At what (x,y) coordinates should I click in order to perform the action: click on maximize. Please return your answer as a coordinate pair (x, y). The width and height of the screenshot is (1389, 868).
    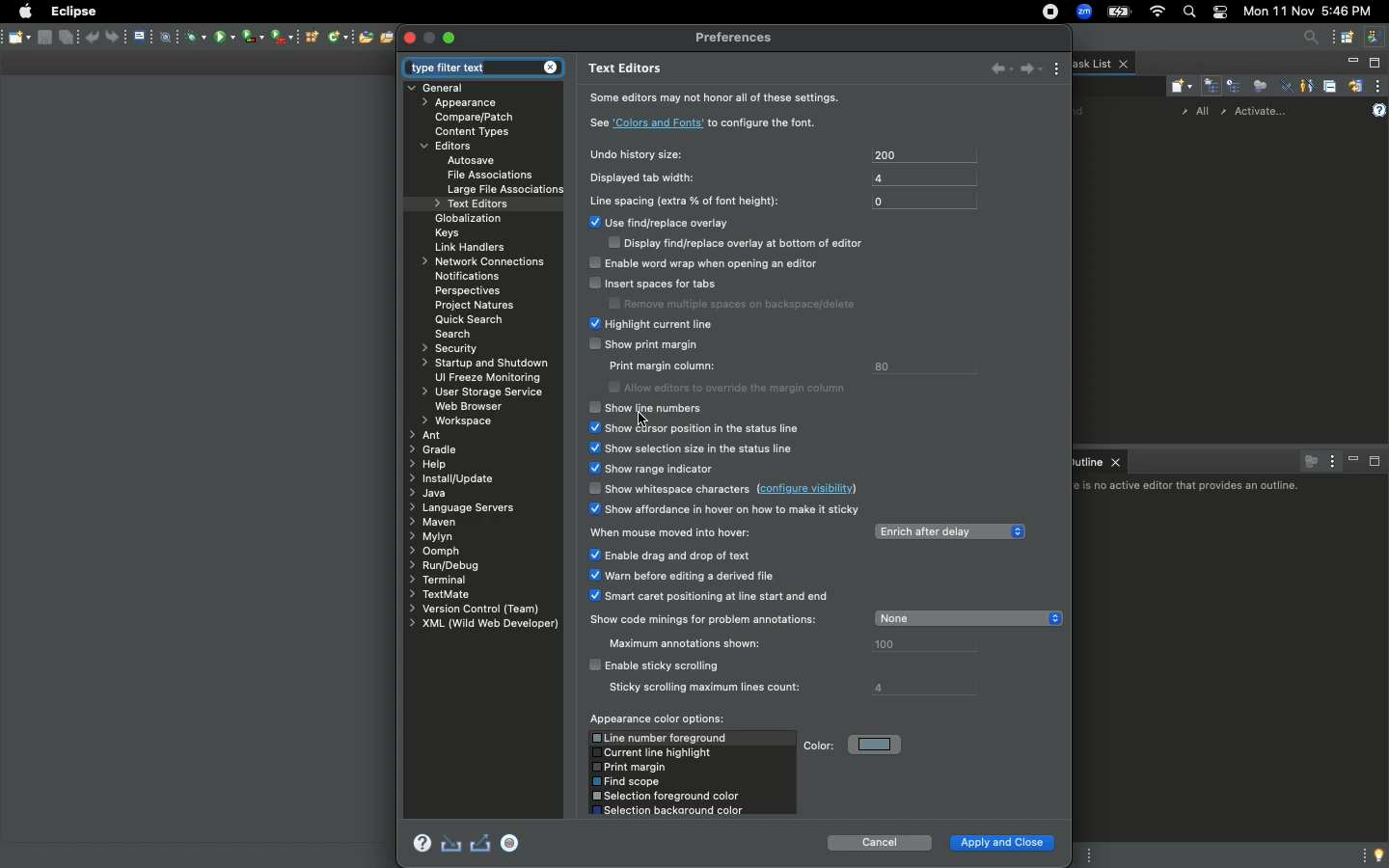
    Looking at the image, I should click on (429, 39).